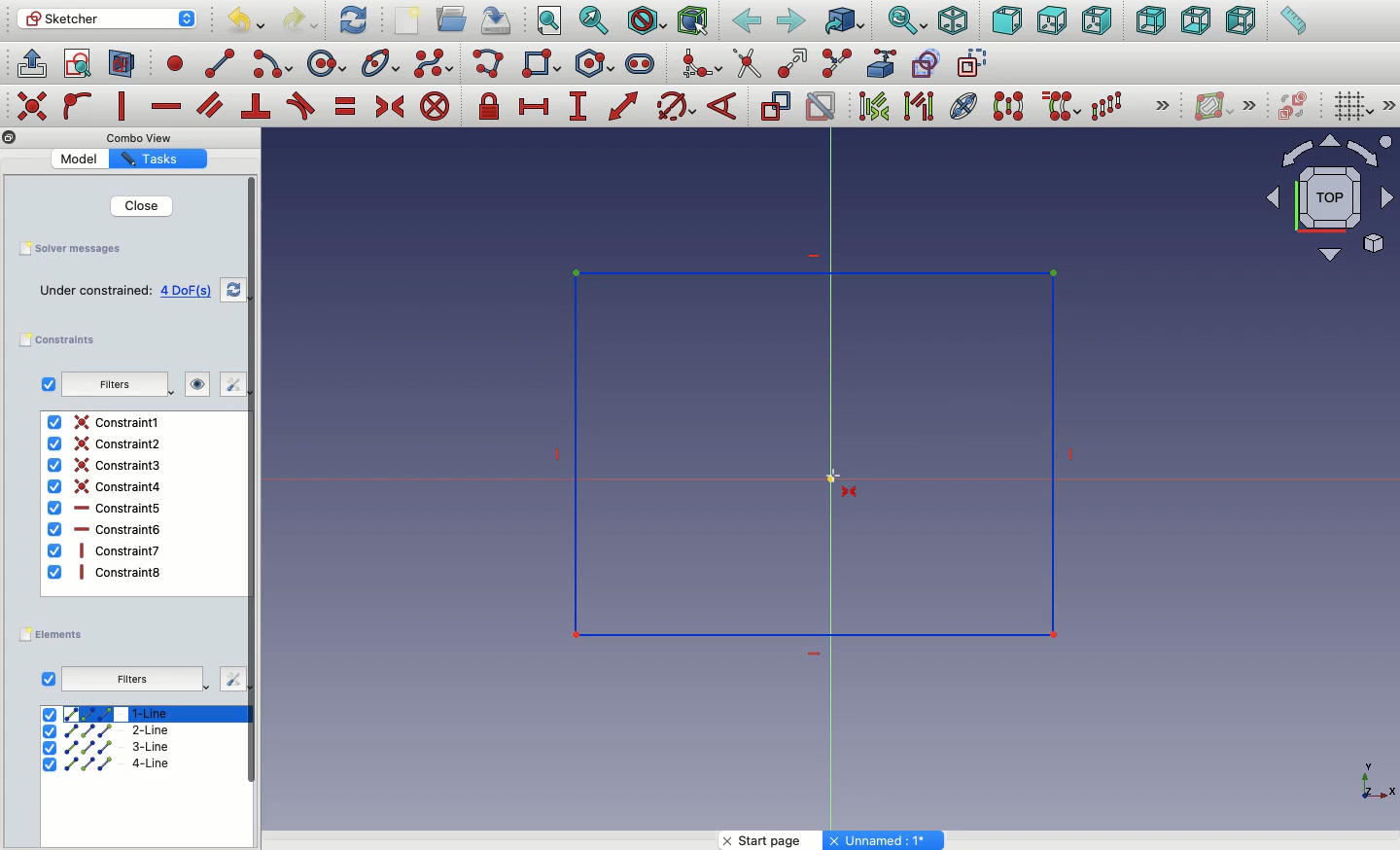 This screenshot has height=850, width=1400. I want to click on Axis, so click(1374, 775).